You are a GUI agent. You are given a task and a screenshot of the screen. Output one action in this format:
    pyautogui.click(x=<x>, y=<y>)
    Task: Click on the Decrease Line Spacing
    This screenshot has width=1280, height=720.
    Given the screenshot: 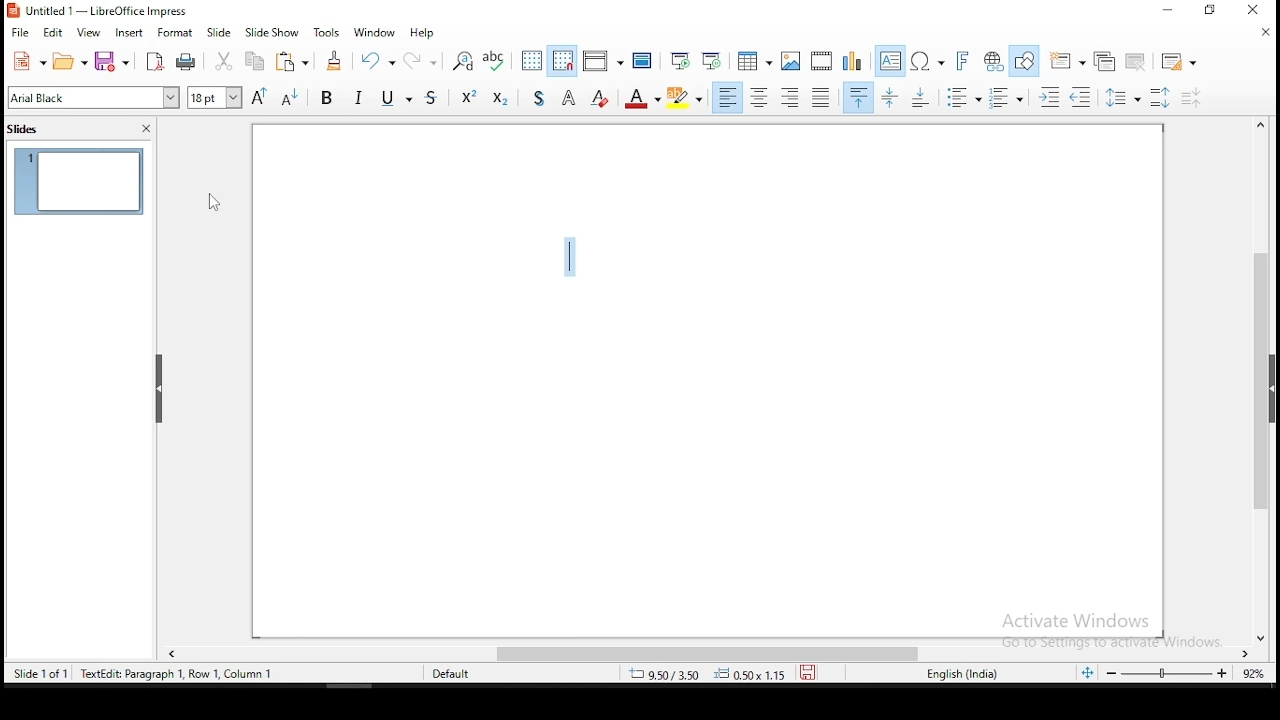 What is the action you would take?
    pyautogui.click(x=1192, y=98)
    